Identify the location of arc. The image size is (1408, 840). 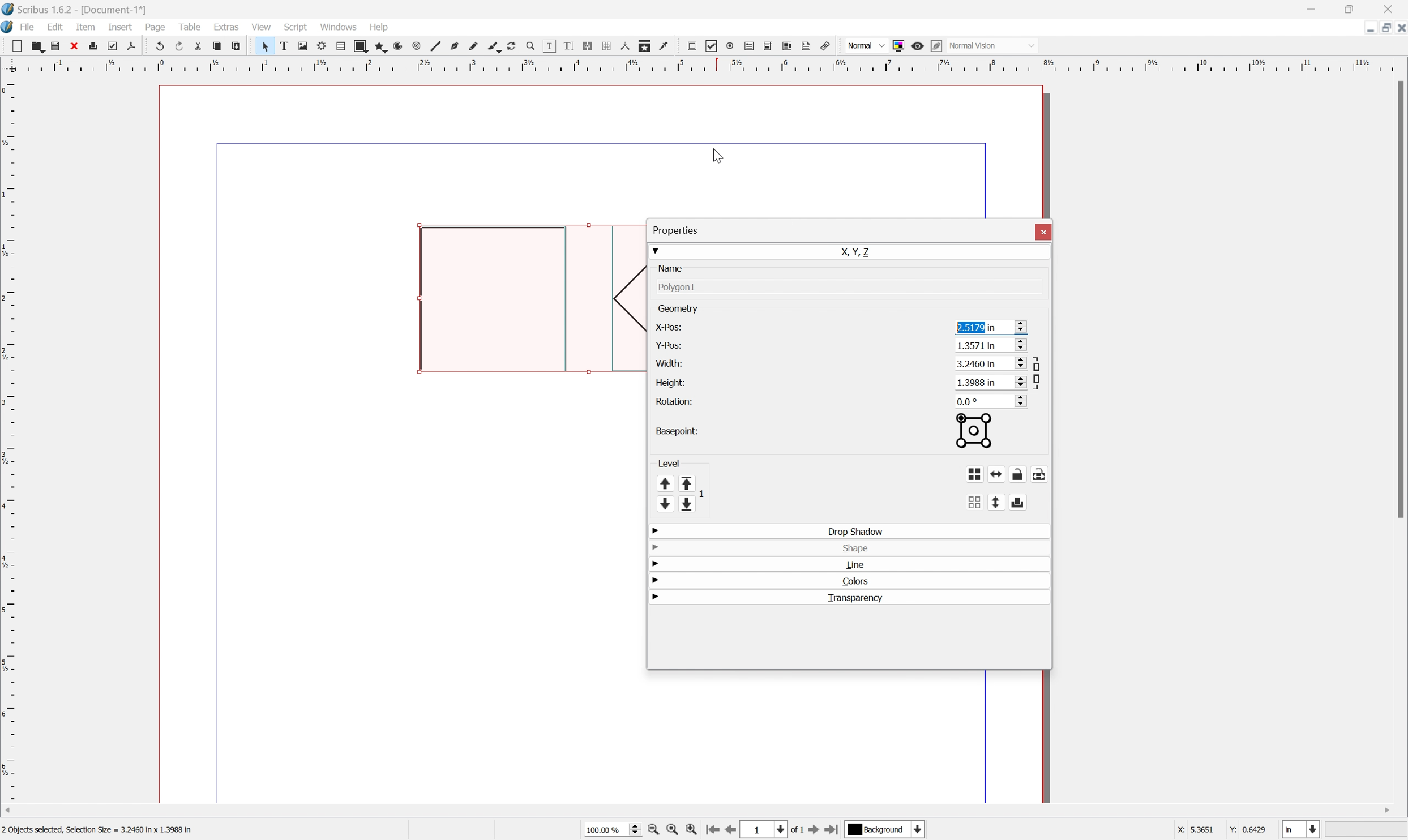
(394, 45).